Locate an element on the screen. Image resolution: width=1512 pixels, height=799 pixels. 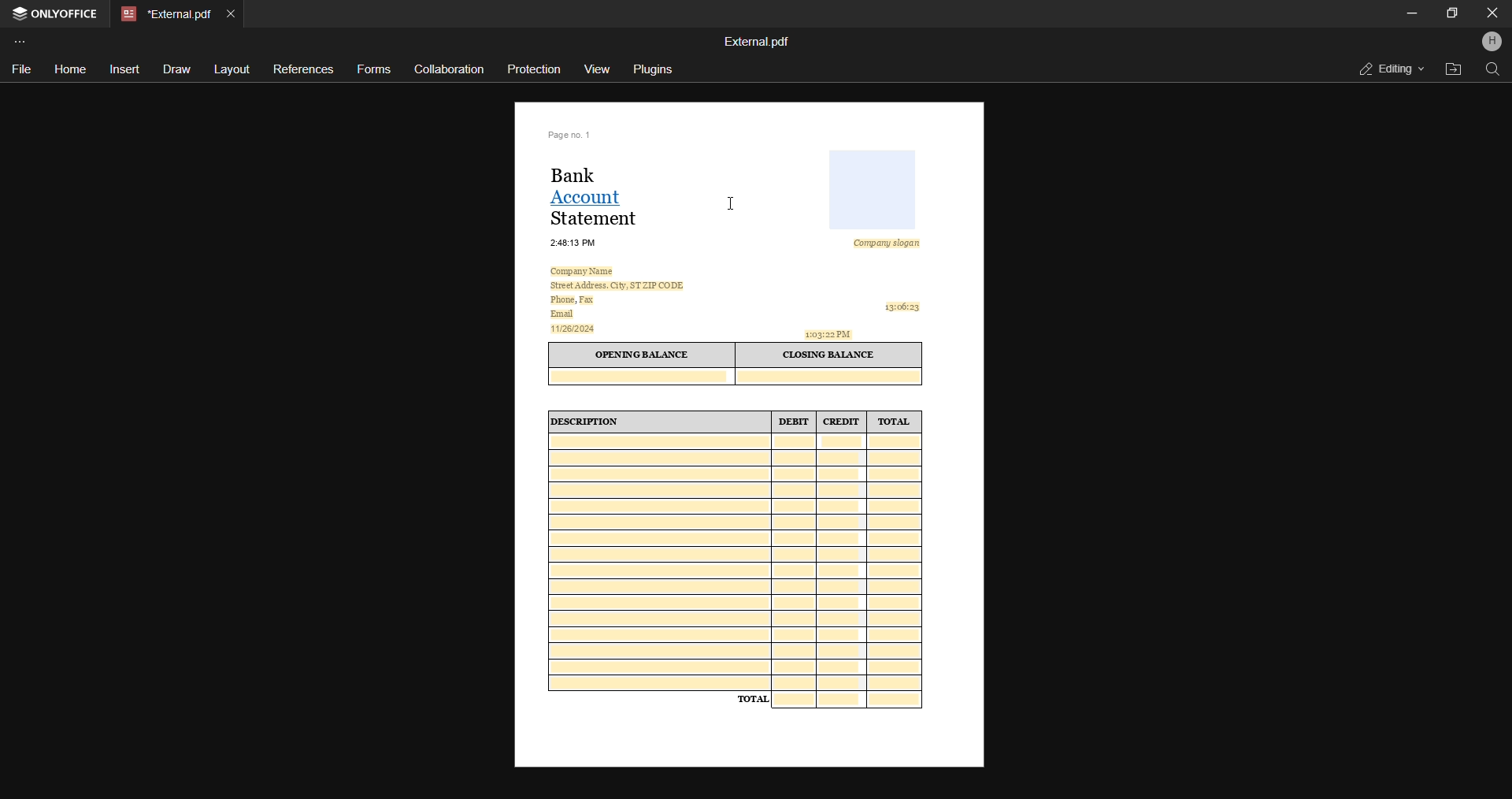
close is located at coordinates (1492, 13).